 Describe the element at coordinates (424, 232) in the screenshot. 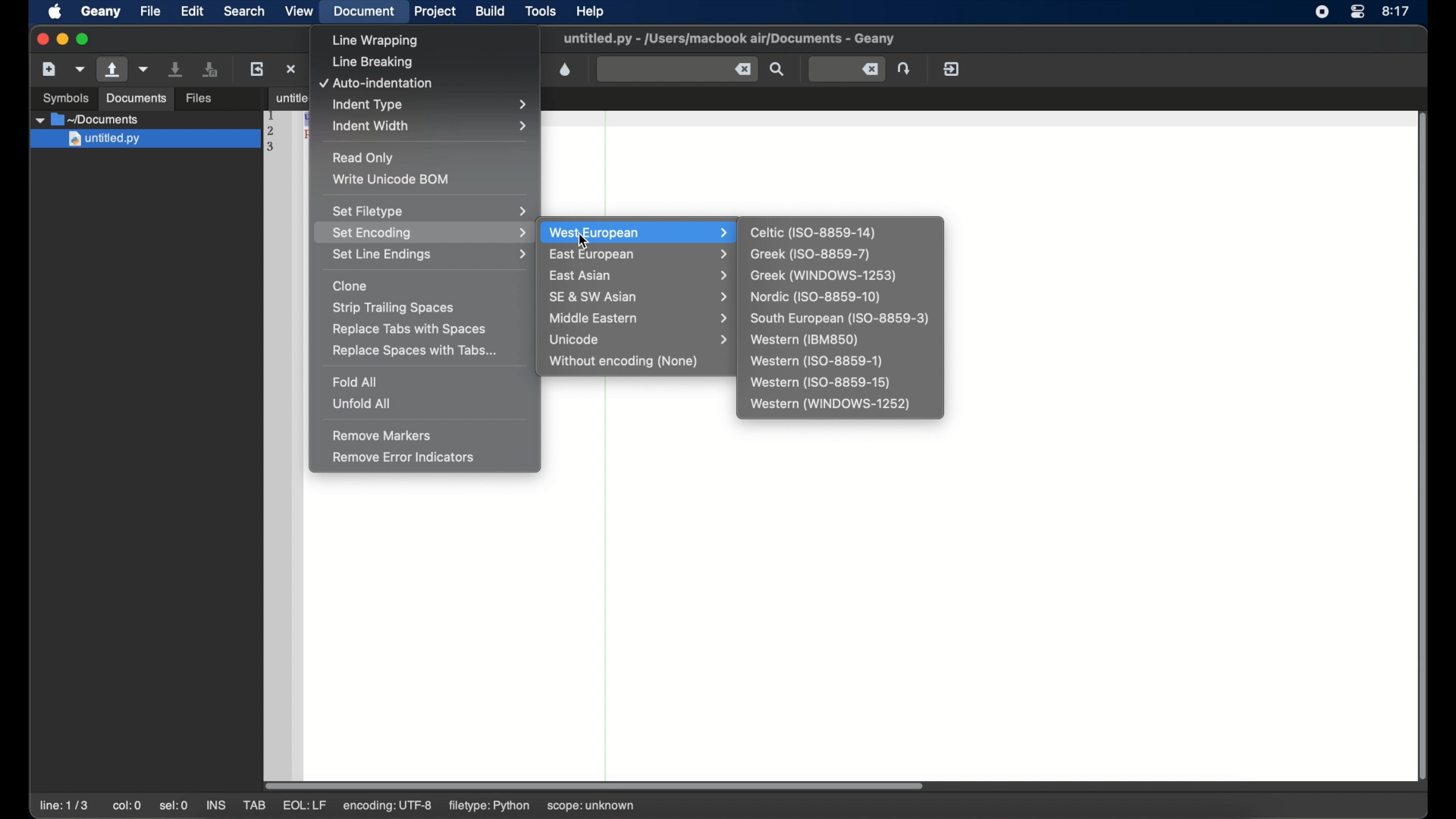

I see `set encoding menu highlighted` at that location.